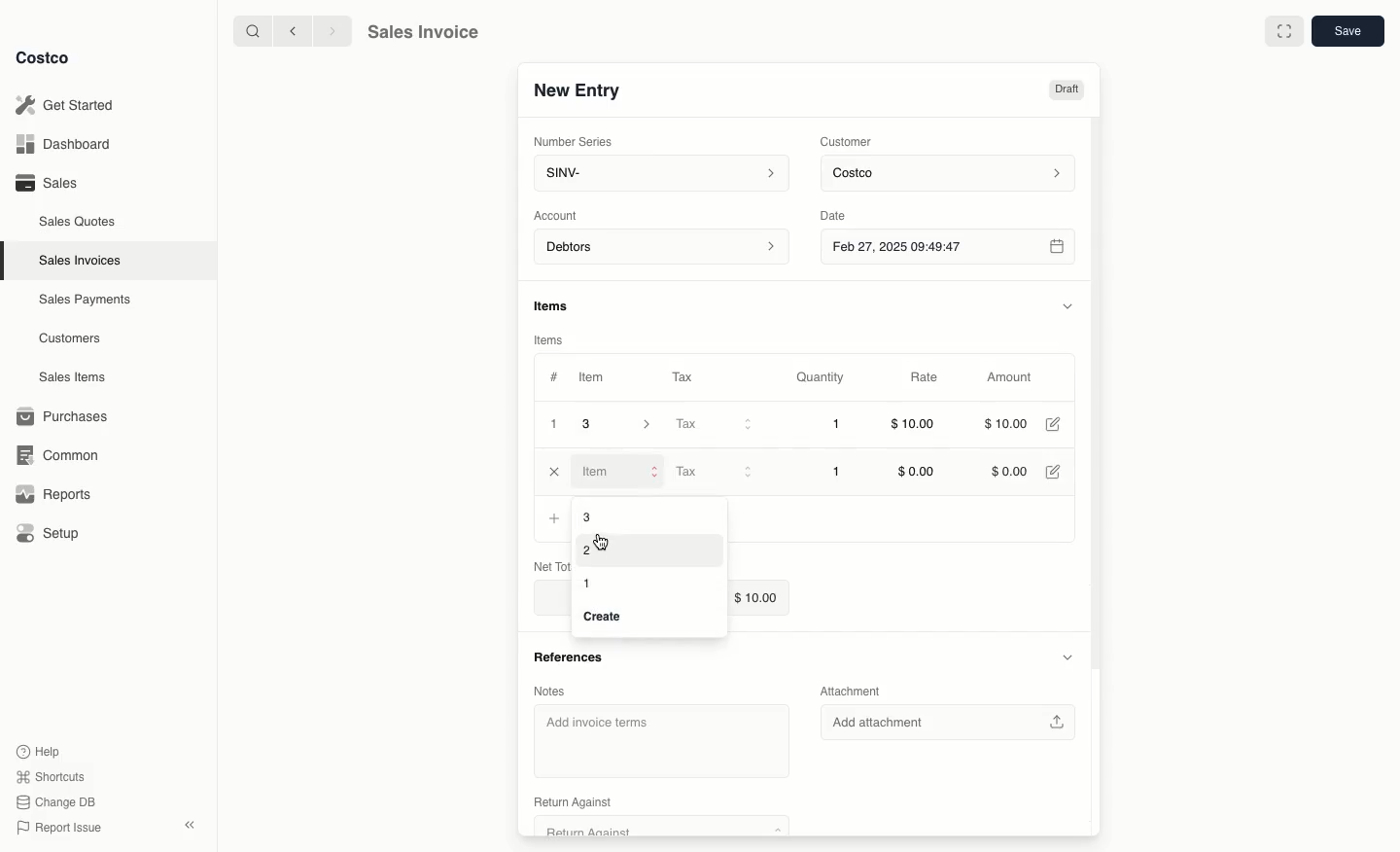  I want to click on Sales, so click(45, 182).